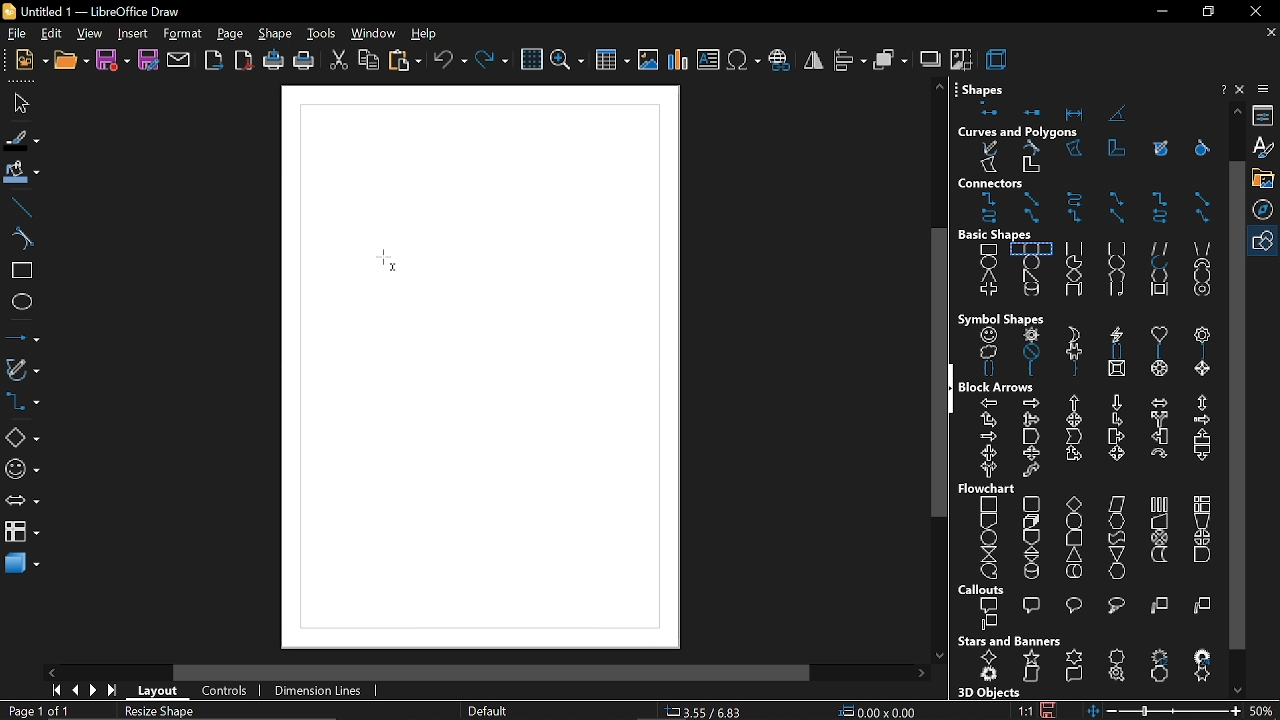 The height and width of the screenshot is (720, 1280). I want to click on minimize, so click(1160, 13).